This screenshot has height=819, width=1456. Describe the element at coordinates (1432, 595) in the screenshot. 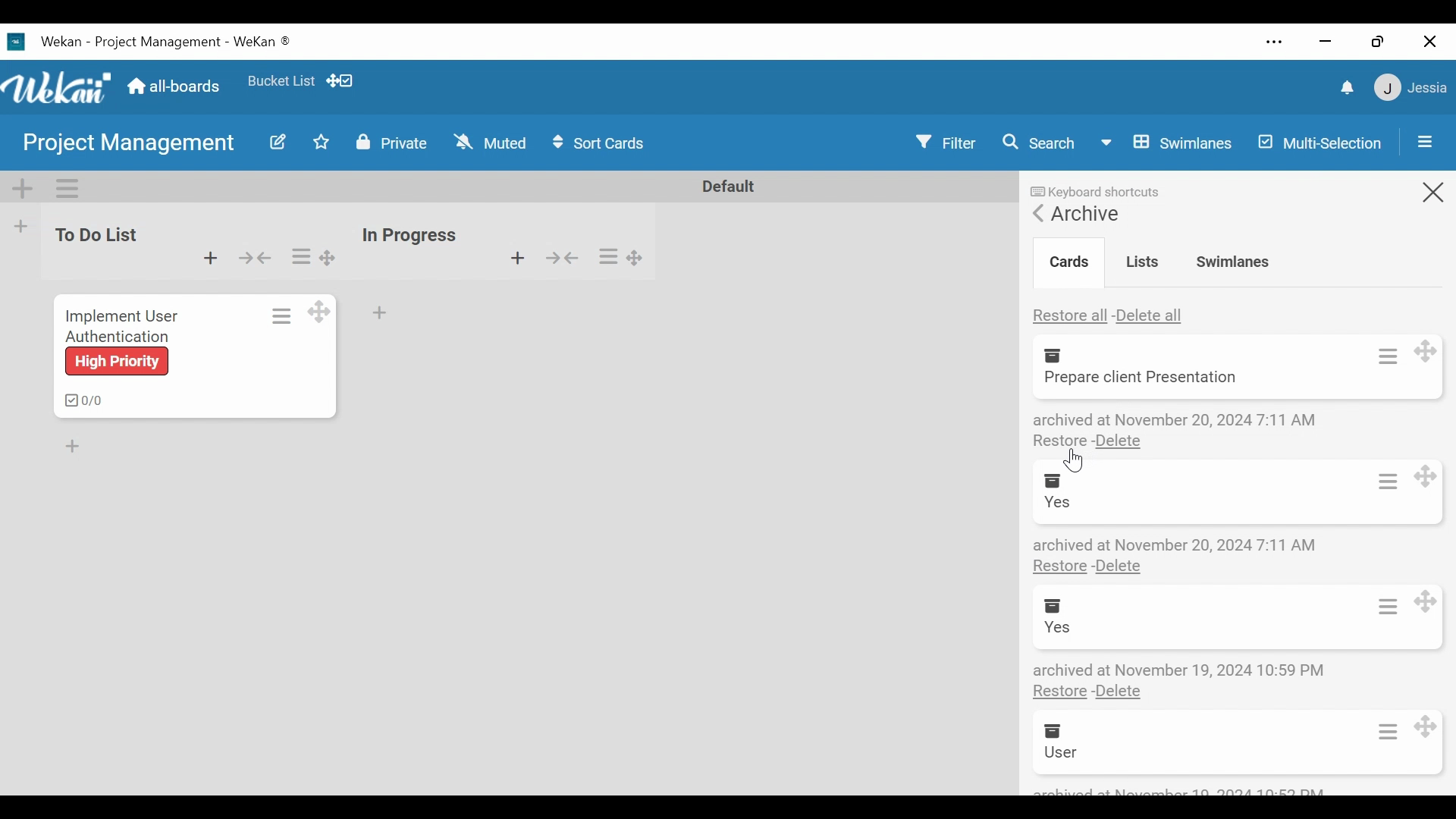

I see `Desktop drag handles` at that location.